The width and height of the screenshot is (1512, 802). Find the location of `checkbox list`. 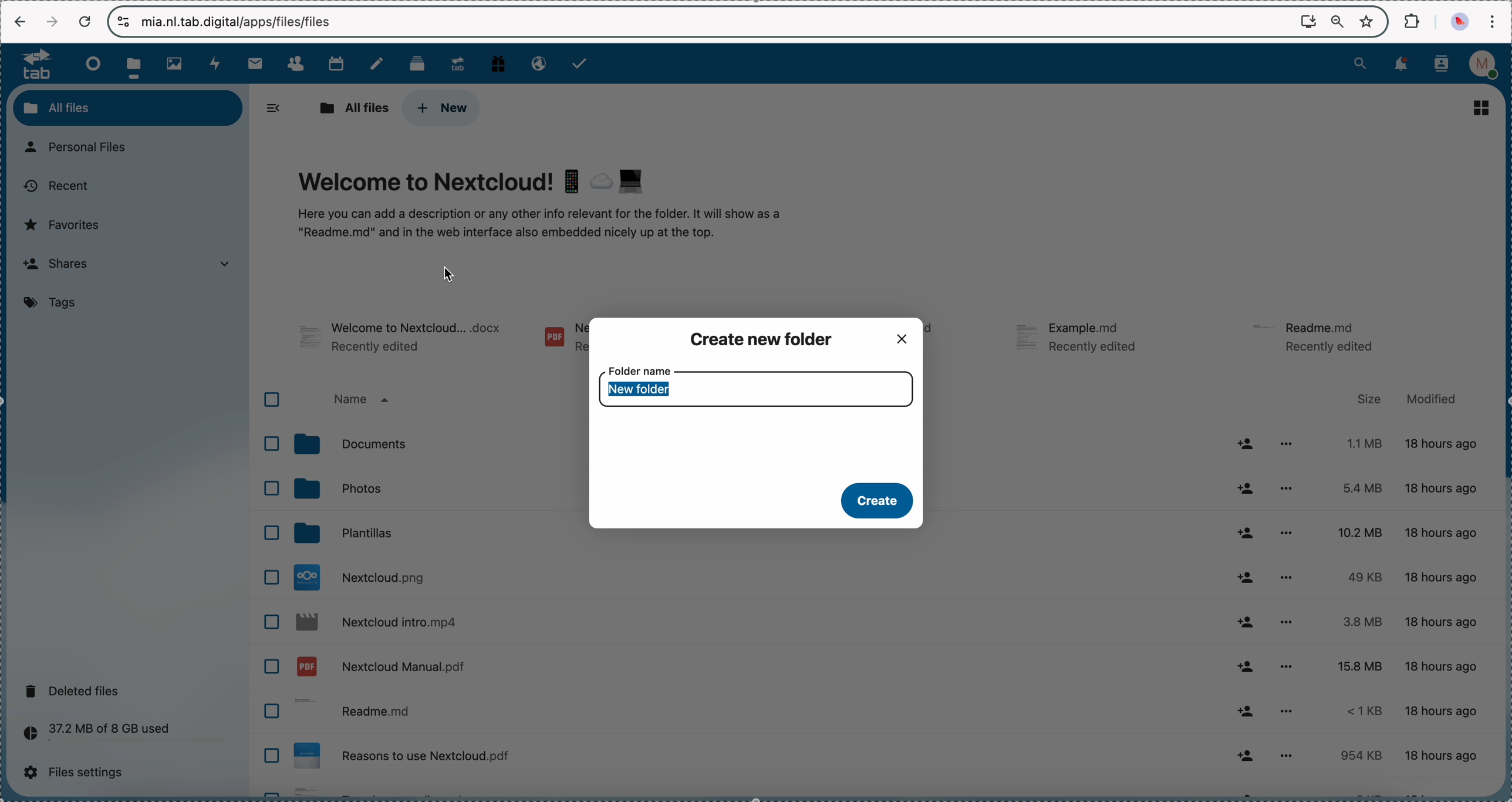

checkbox list is located at coordinates (266, 587).